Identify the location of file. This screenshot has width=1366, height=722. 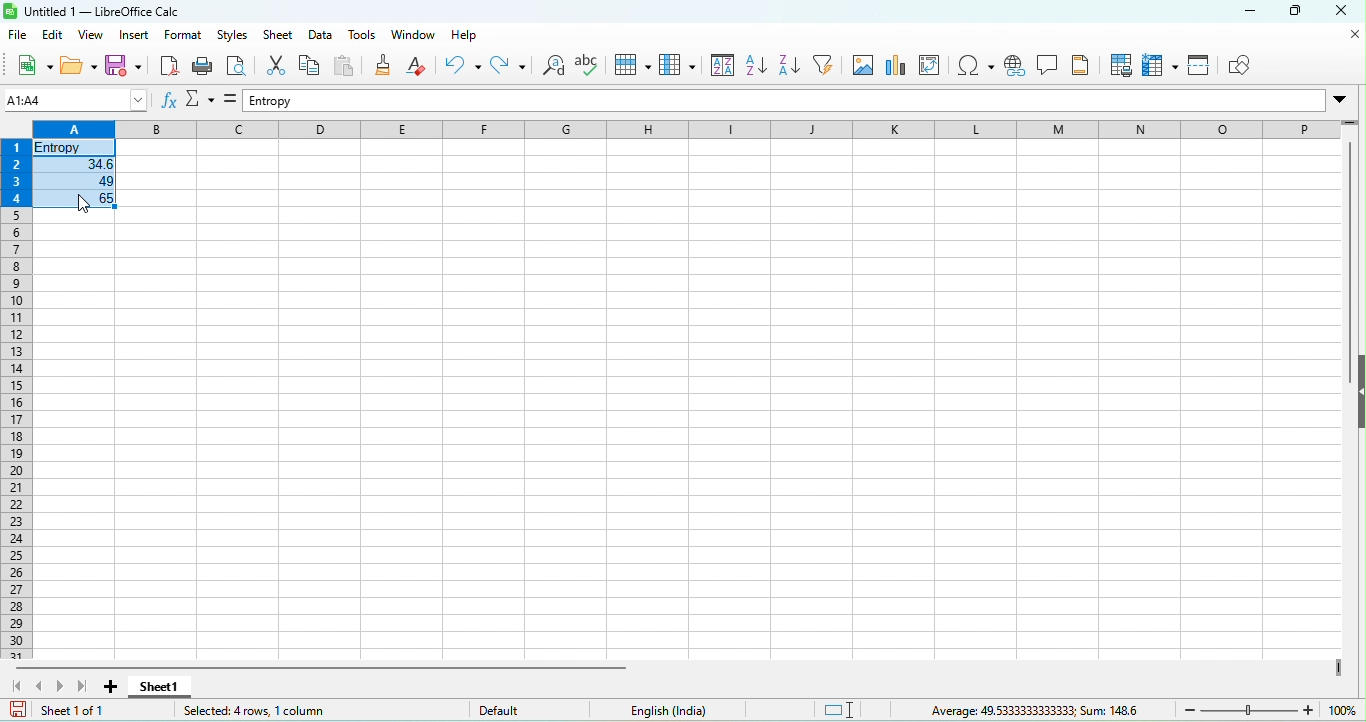
(16, 37).